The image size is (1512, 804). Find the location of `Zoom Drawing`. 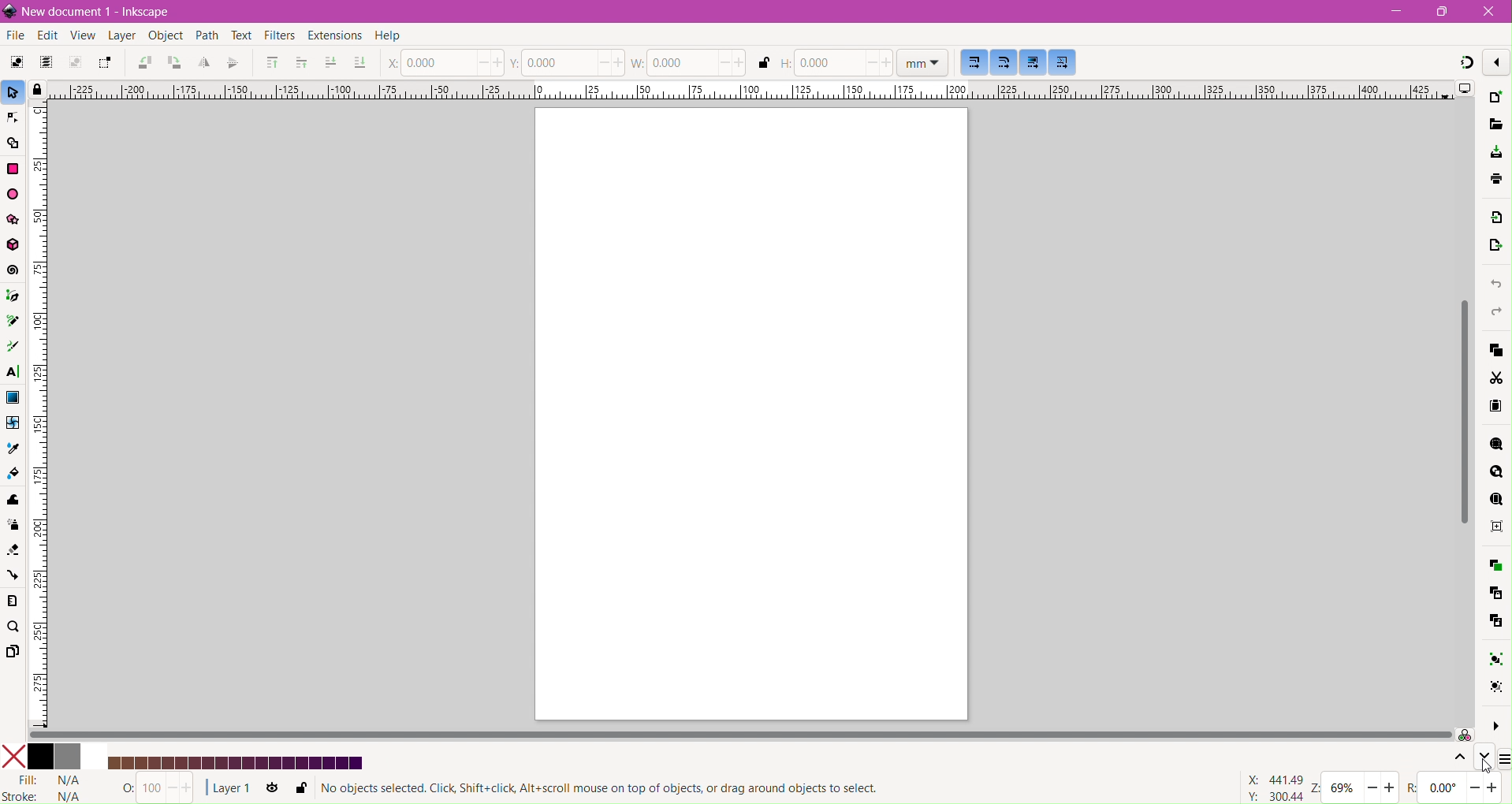

Zoom Drawing is located at coordinates (1497, 471).